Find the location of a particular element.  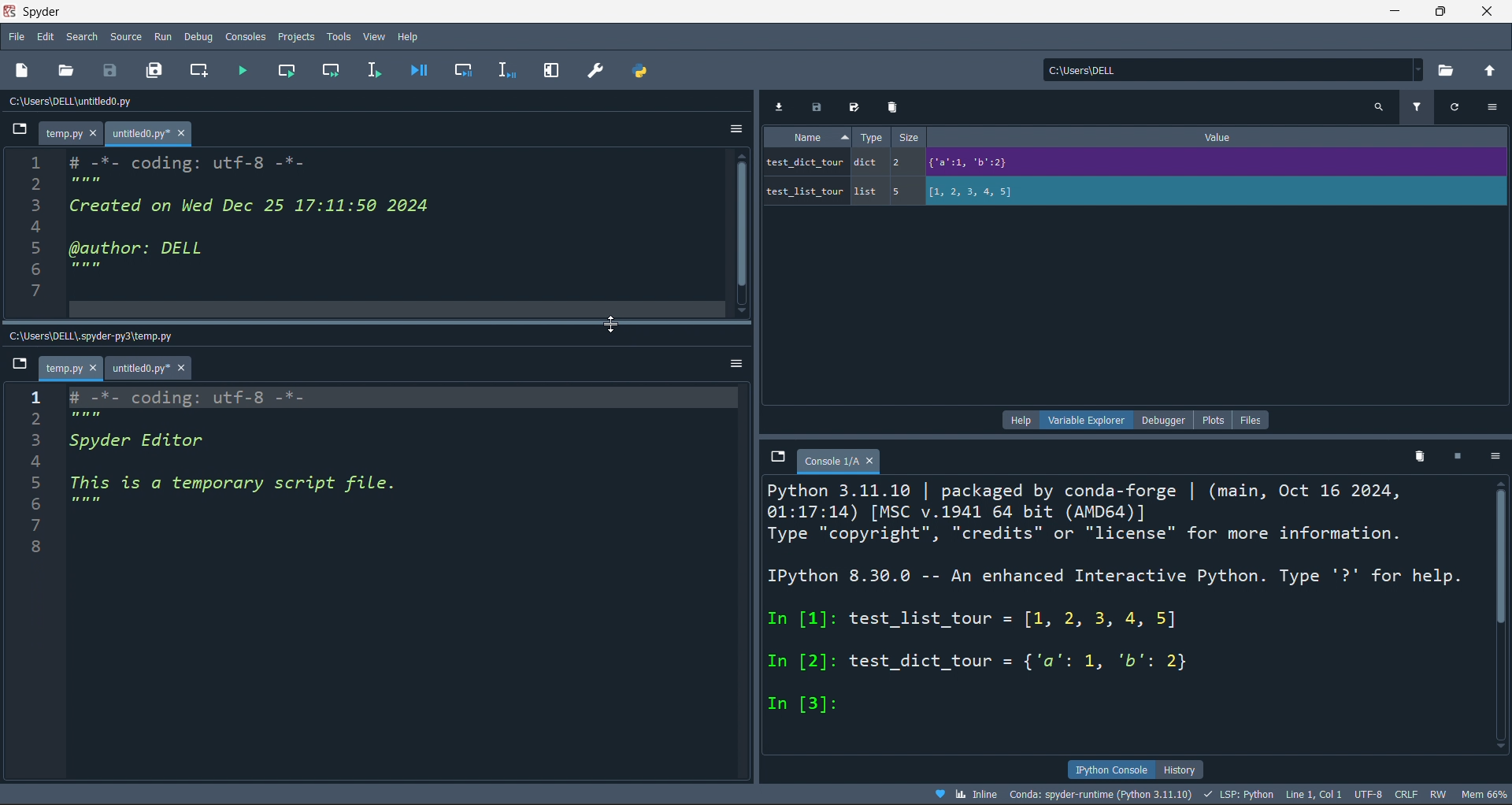

minimize is located at coordinates (1392, 12).